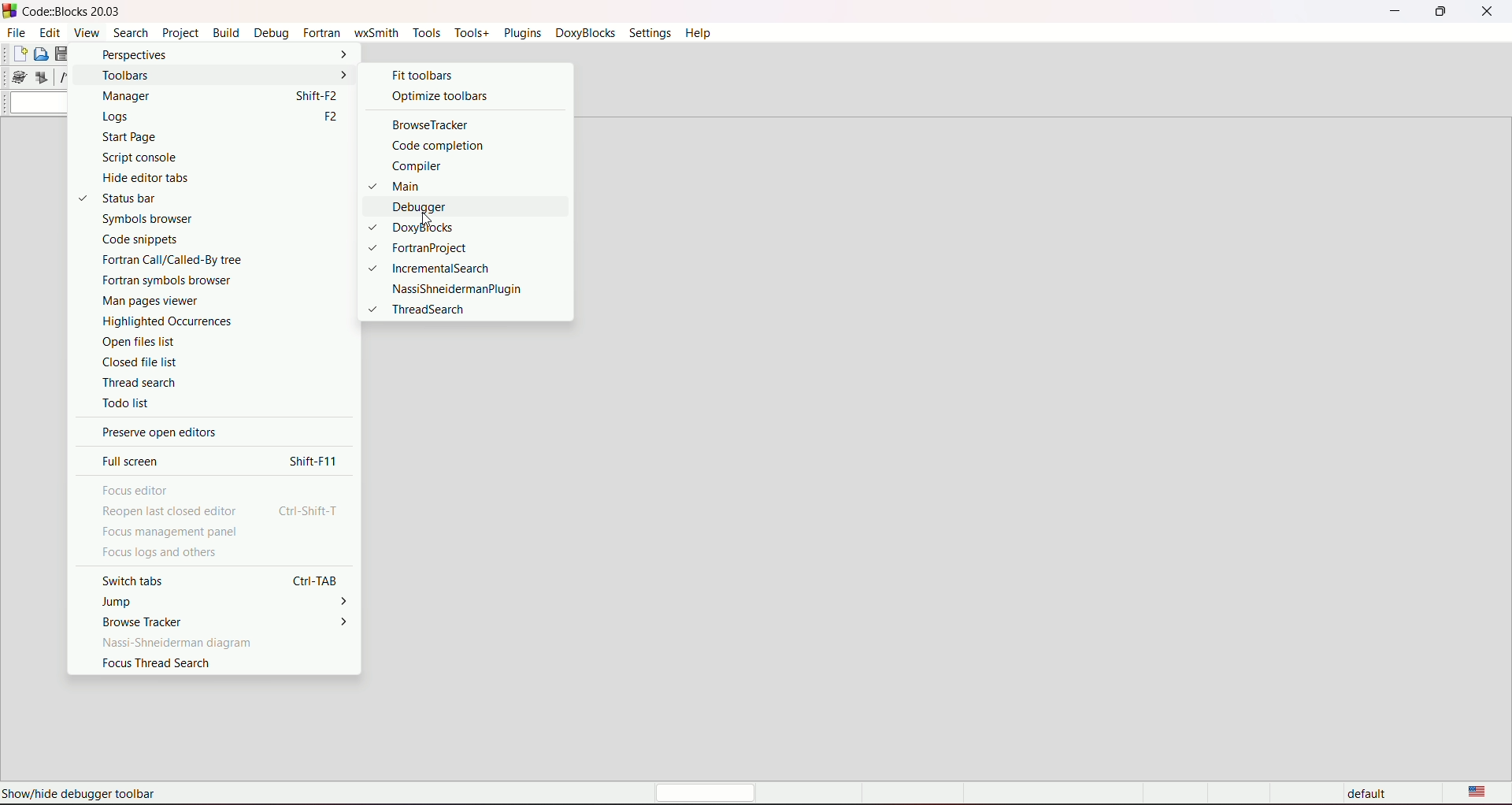 This screenshot has width=1512, height=805. Describe the element at coordinates (201, 259) in the screenshot. I see `fortran call` at that location.